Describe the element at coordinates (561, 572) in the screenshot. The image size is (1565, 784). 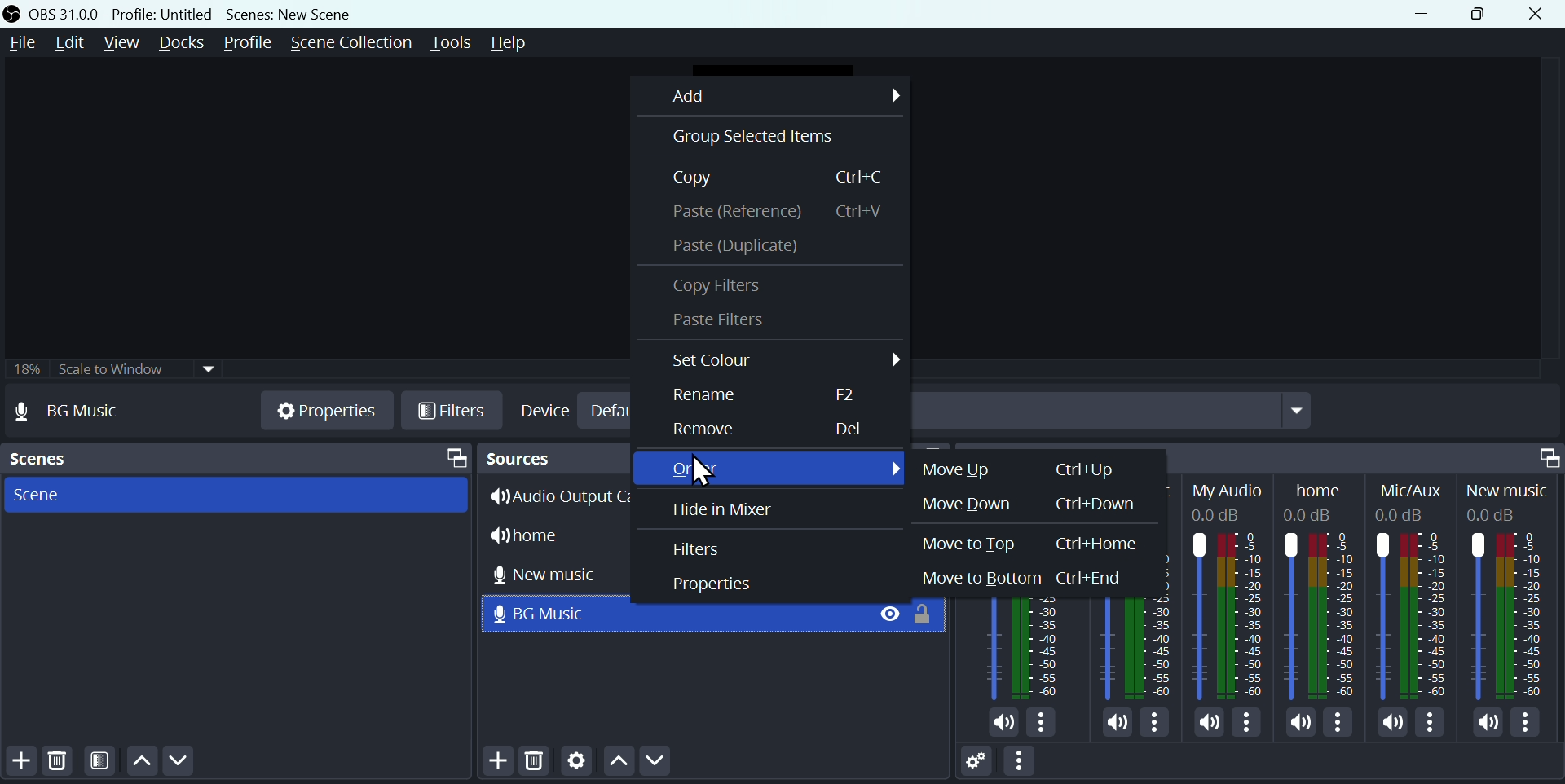
I see `New music` at that location.